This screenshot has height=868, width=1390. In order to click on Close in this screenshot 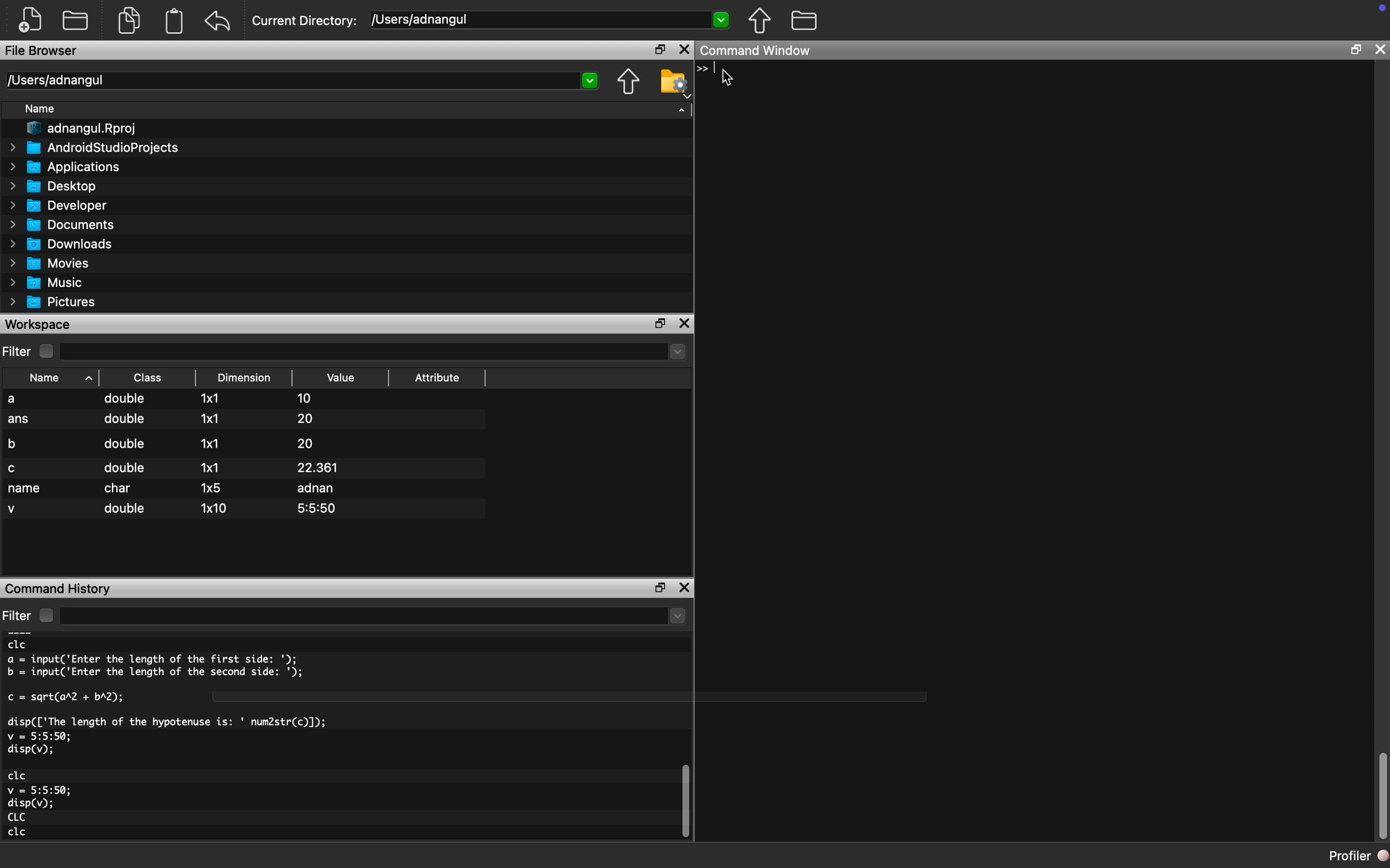, I will do `click(1382, 49)`.